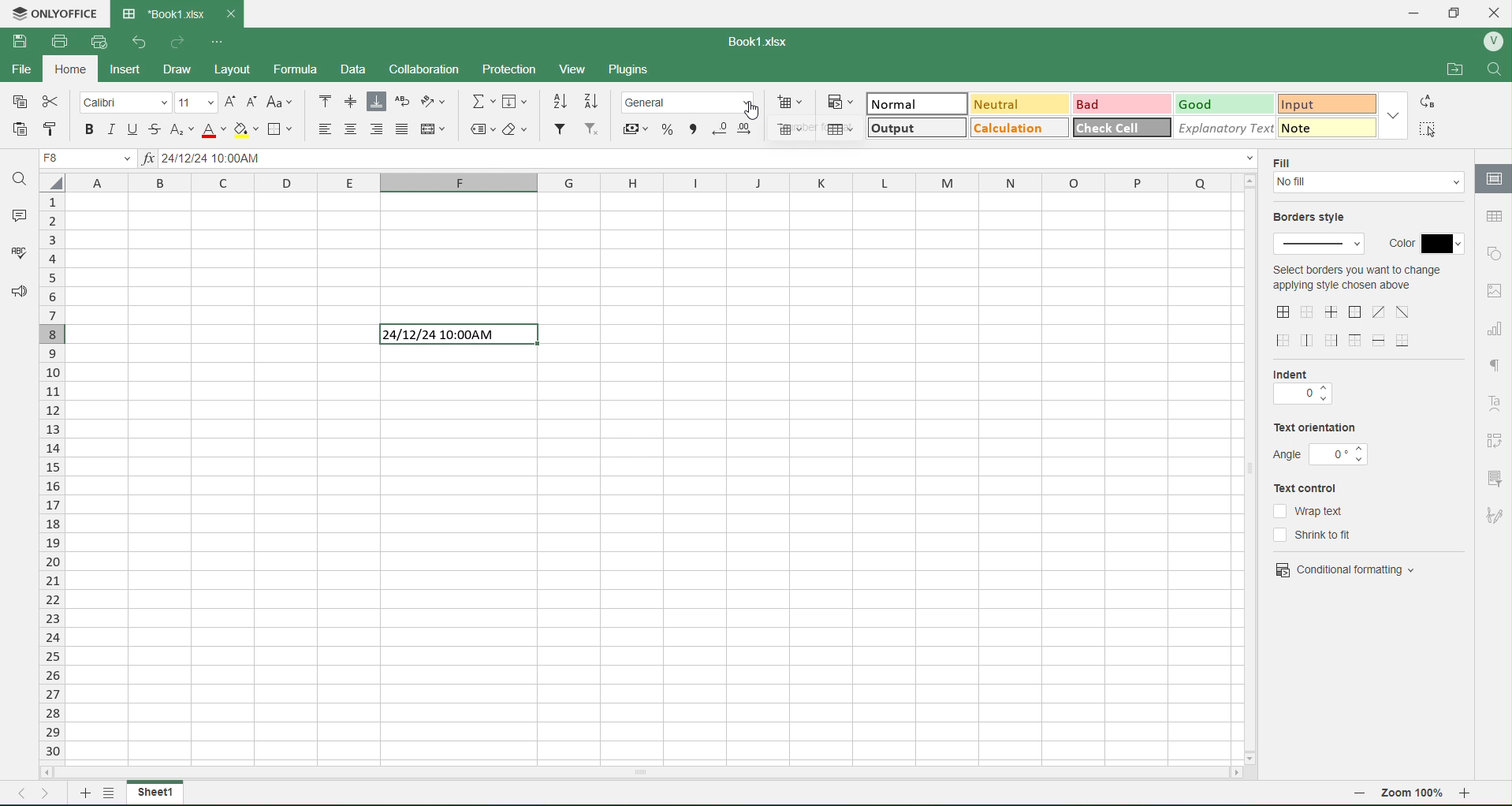  I want to click on Orientation, so click(439, 103).